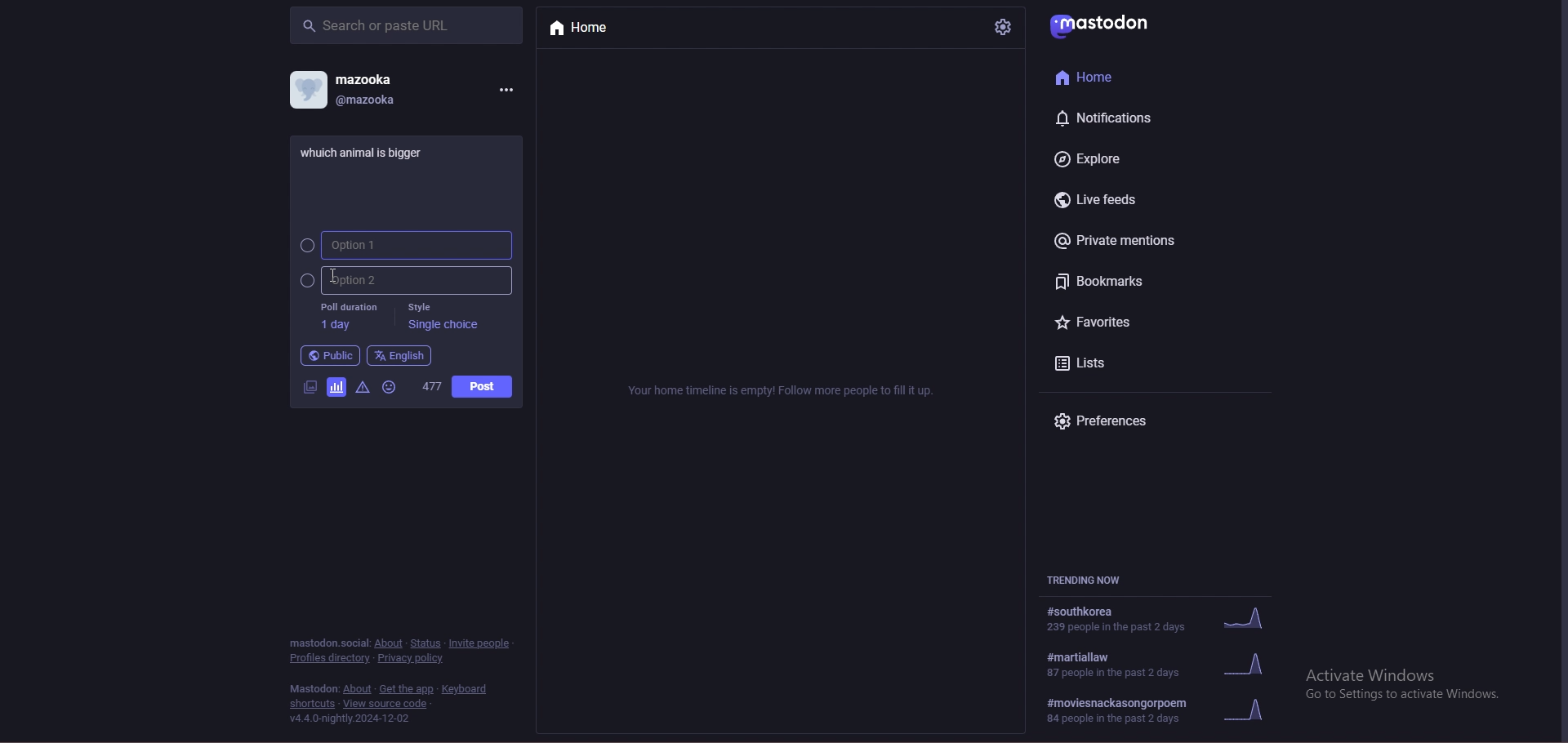  I want to click on @mazooka, so click(371, 100).